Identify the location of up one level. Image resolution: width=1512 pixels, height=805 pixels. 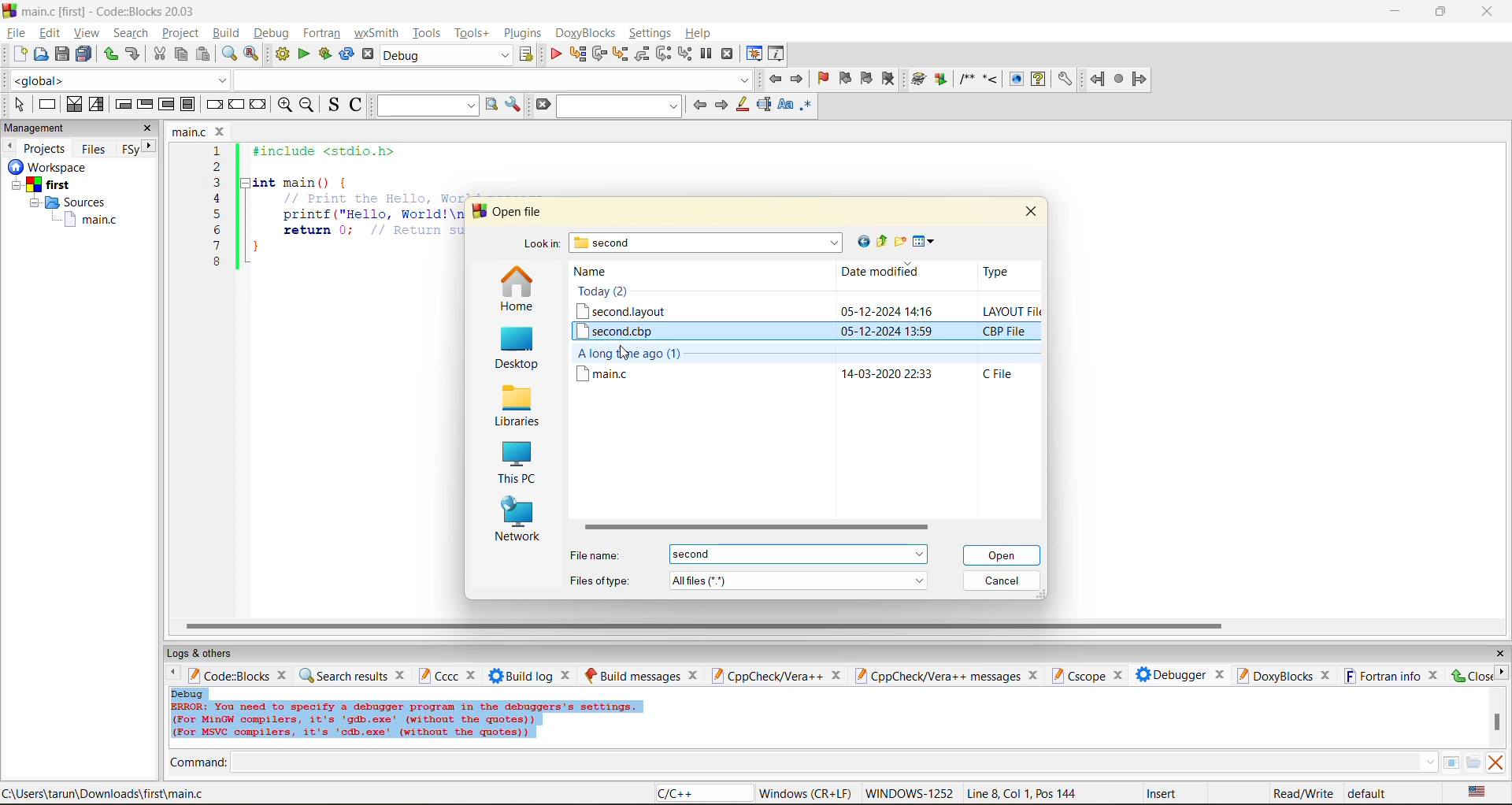
(881, 242).